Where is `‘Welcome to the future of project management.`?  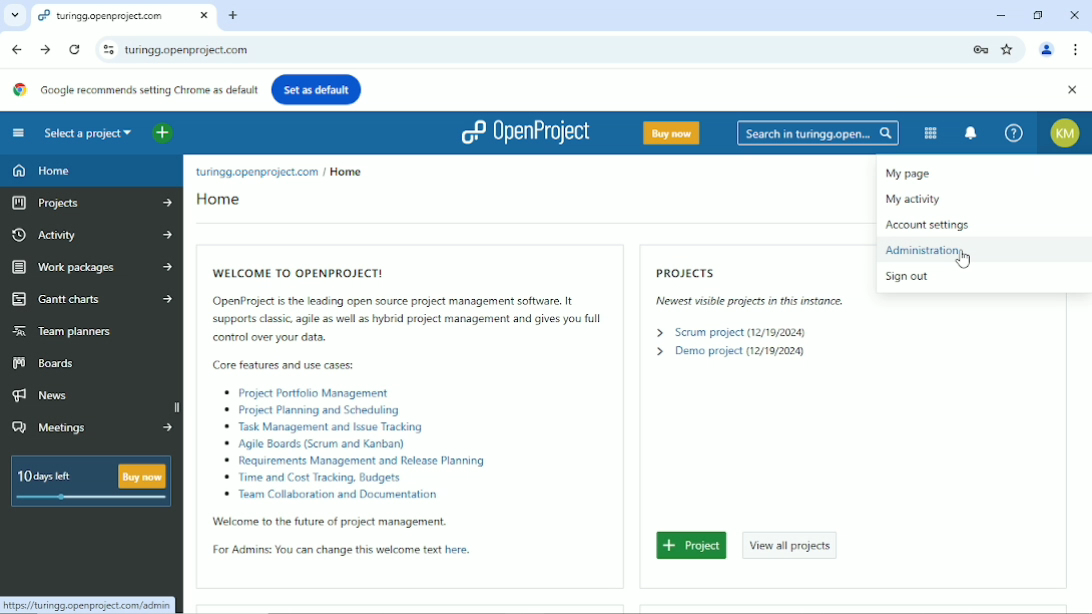 ‘Welcome to the future of project management. is located at coordinates (329, 522).